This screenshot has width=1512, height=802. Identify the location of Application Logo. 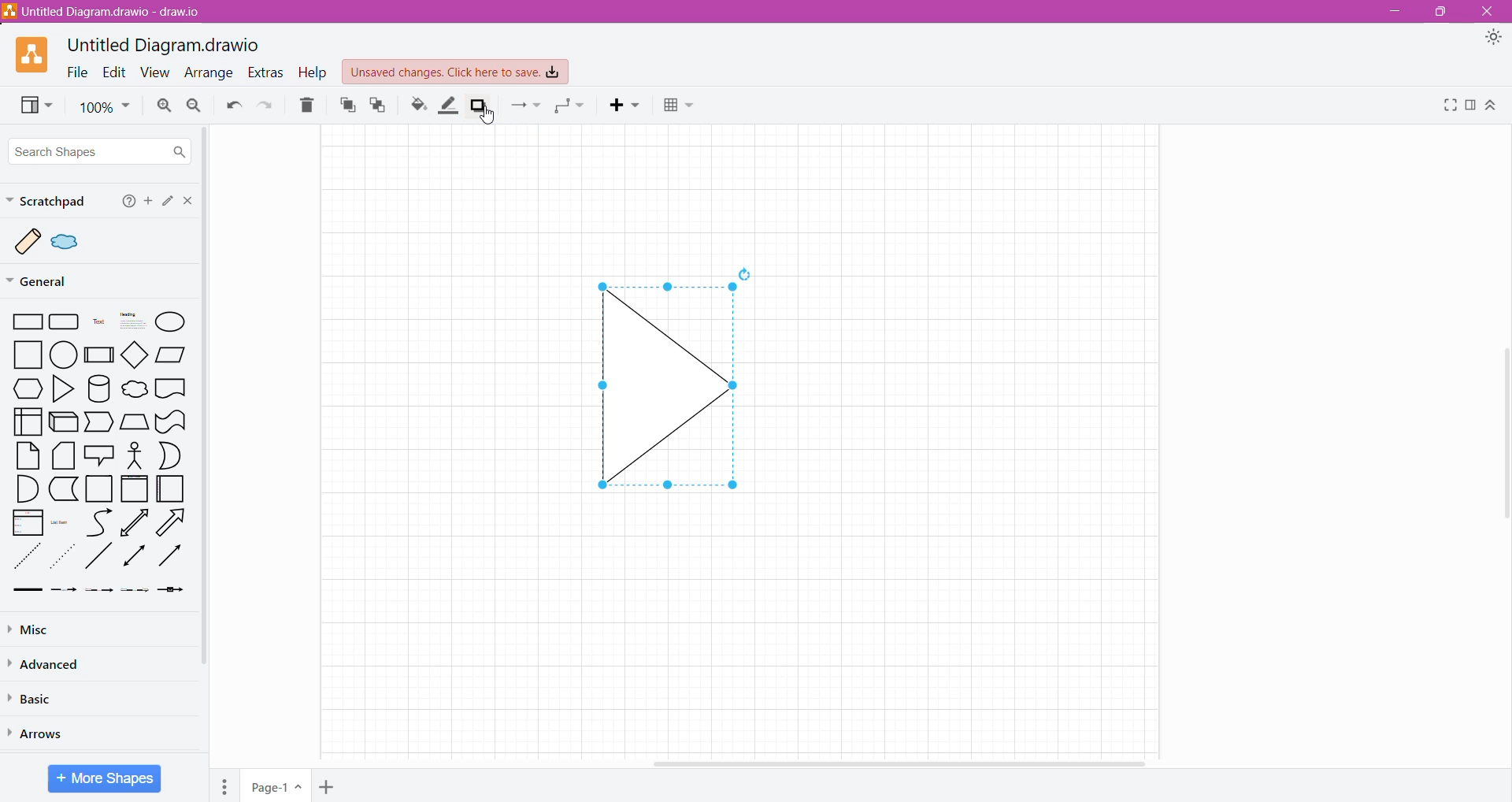
(25, 56).